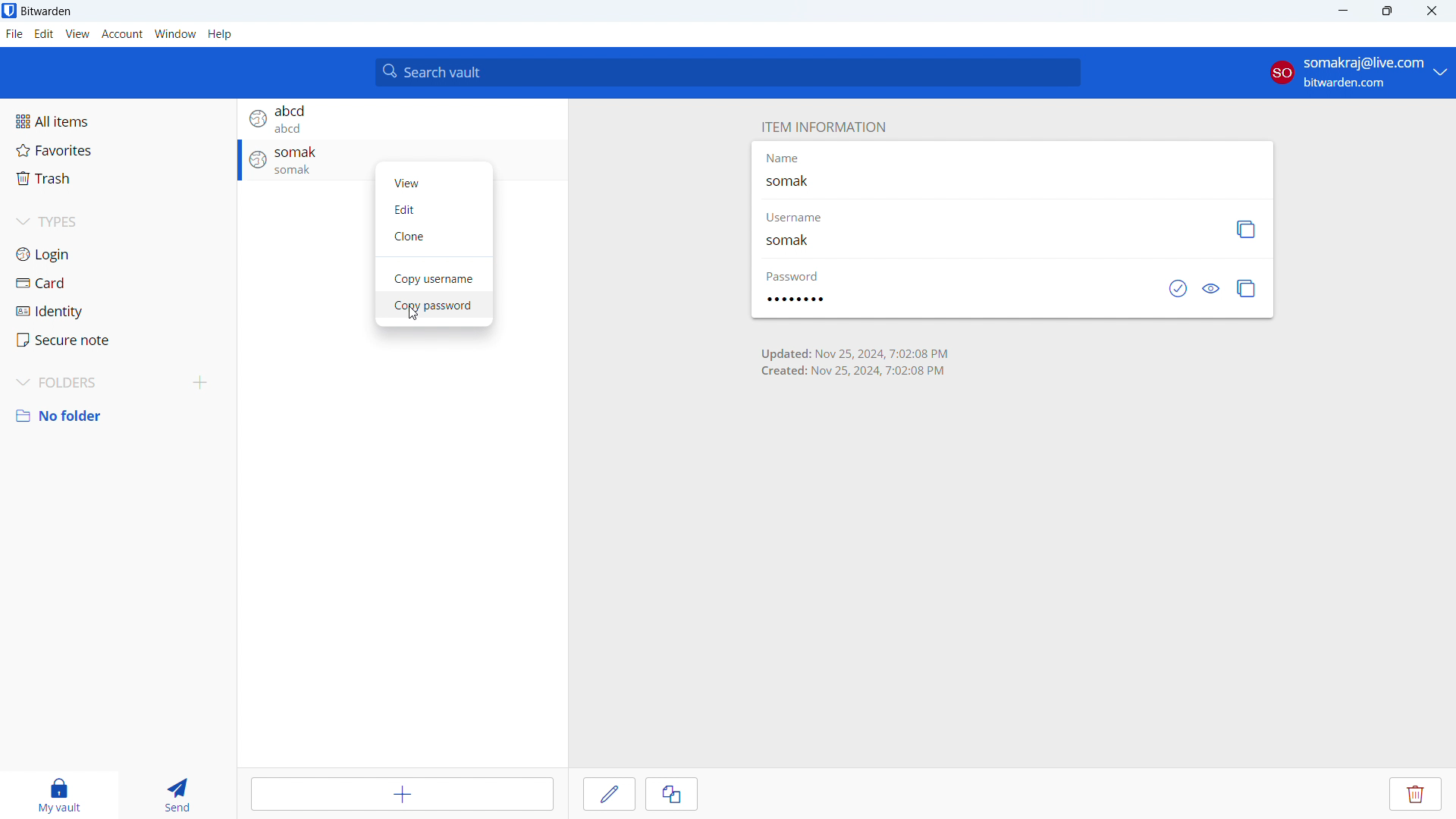 Image resolution: width=1456 pixels, height=819 pixels. I want to click on toggle visibility, so click(1212, 289).